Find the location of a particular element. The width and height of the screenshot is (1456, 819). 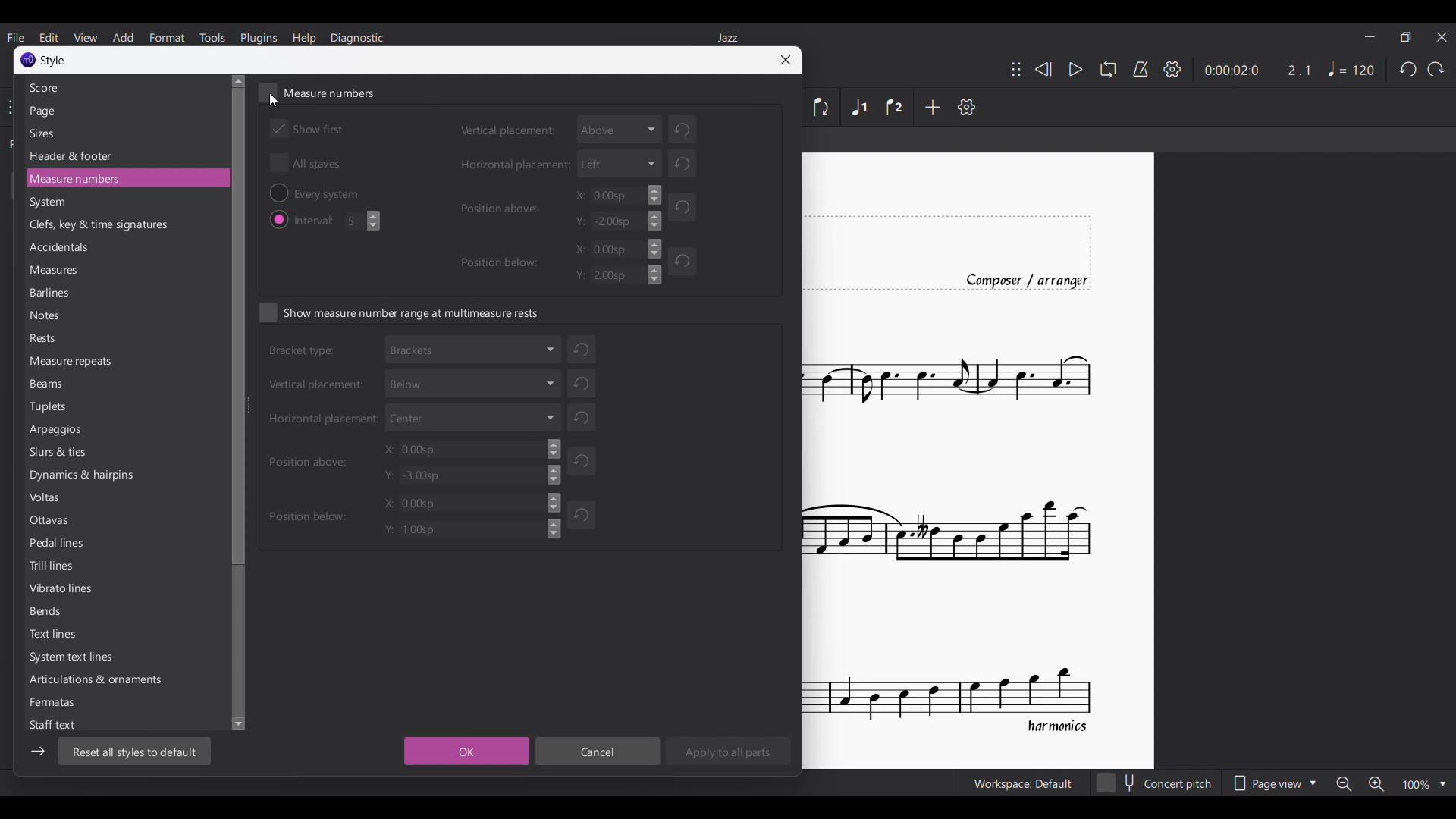

System is located at coordinates (51, 203).